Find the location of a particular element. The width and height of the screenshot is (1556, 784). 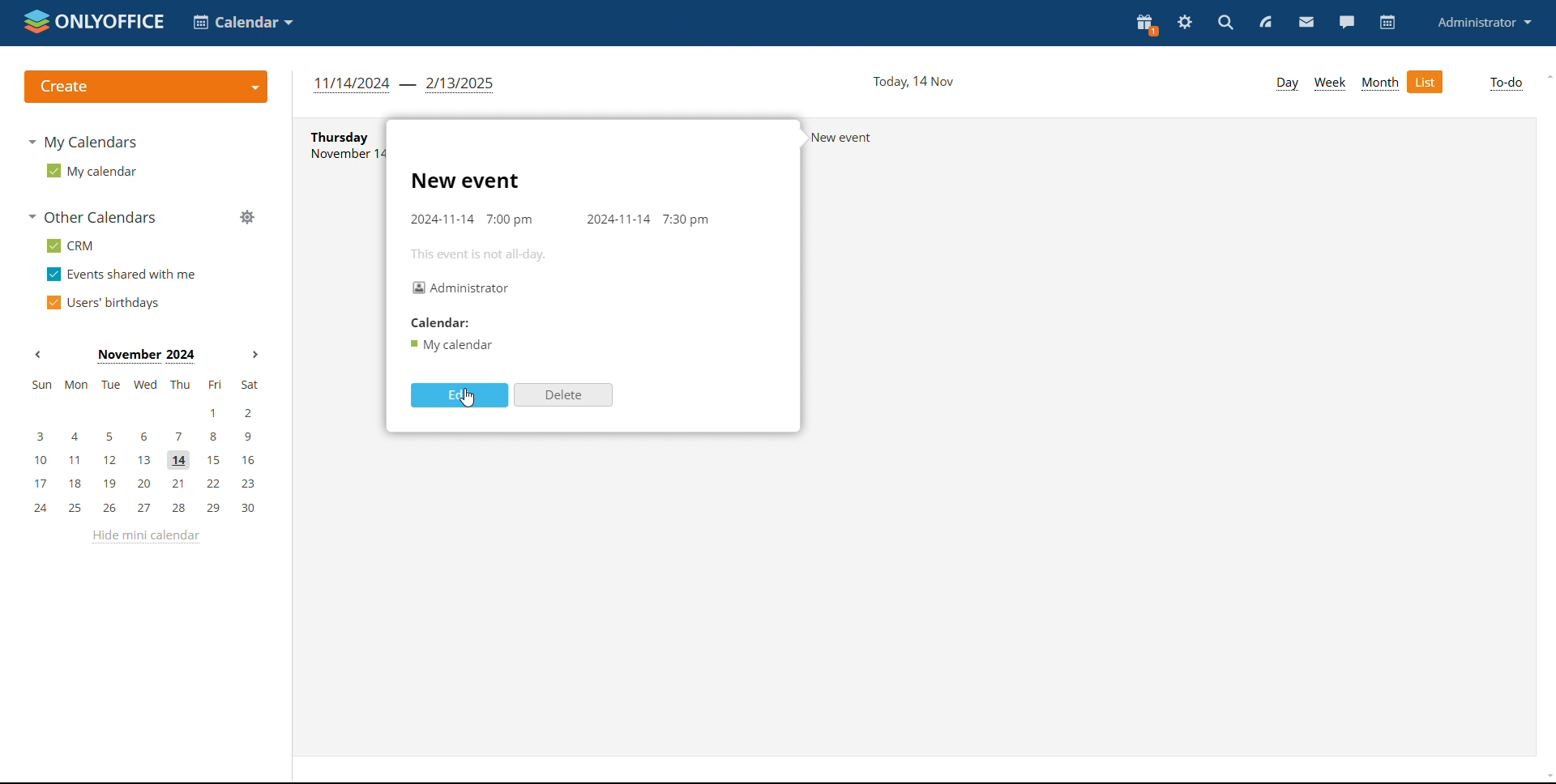

other calendars is located at coordinates (91, 217).